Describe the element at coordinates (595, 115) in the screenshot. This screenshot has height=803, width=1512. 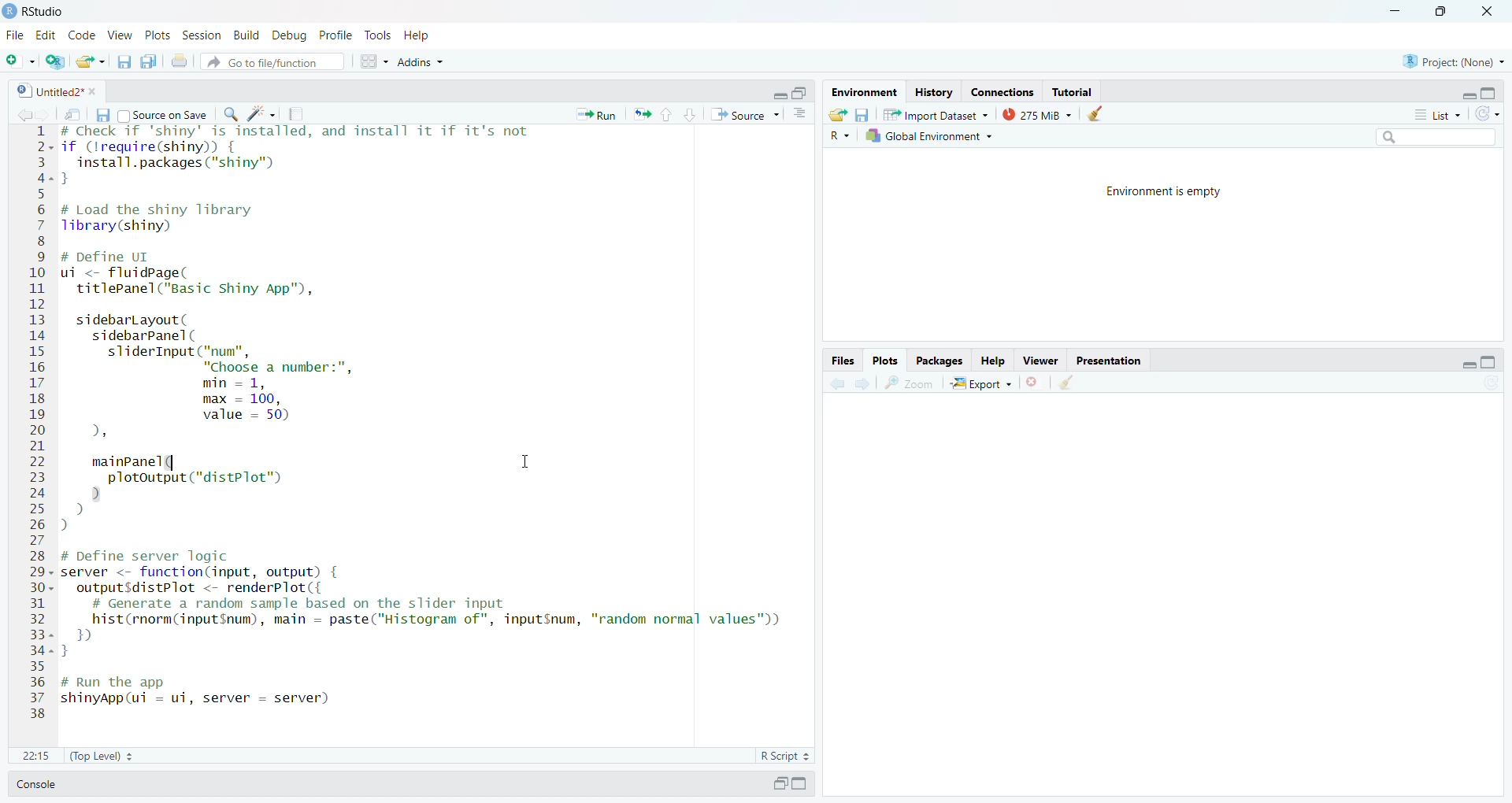
I see `Run` at that location.